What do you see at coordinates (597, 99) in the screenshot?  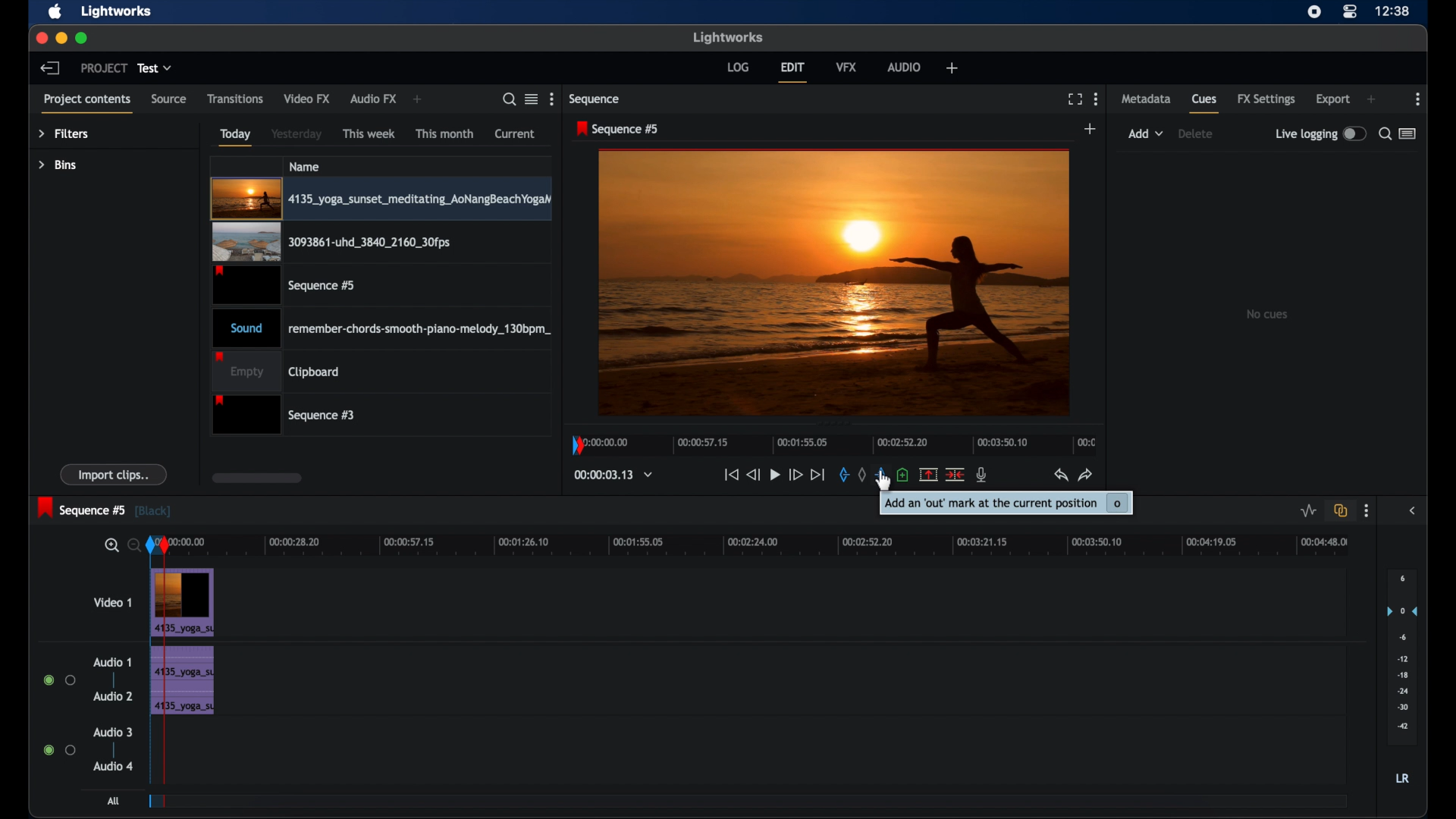 I see `sequence` at bounding box center [597, 99].